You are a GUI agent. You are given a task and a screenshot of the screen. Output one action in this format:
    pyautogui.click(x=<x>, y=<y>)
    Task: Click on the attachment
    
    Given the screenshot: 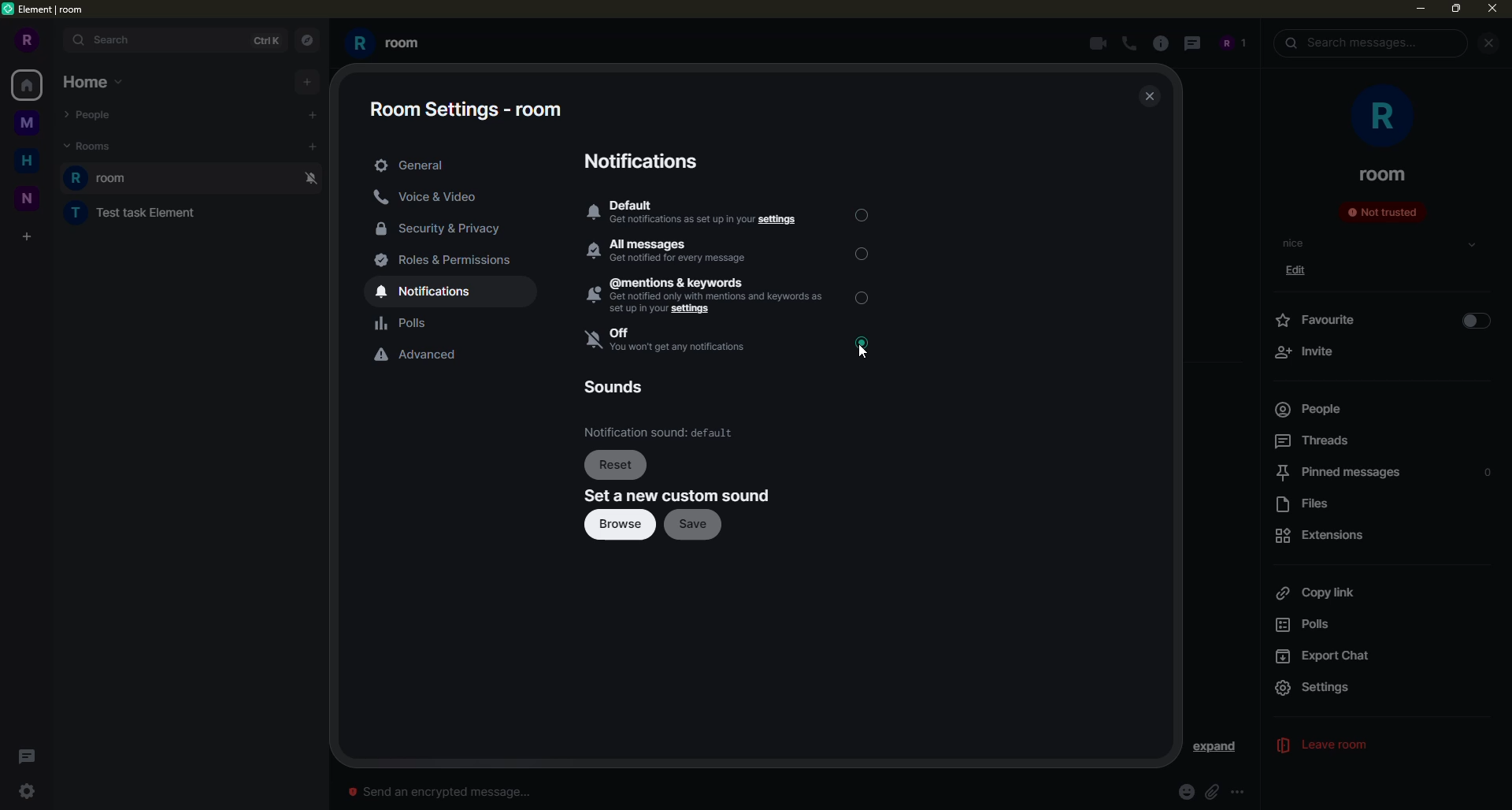 What is the action you would take?
    pyautogui.click(x=1214, y=791)
    